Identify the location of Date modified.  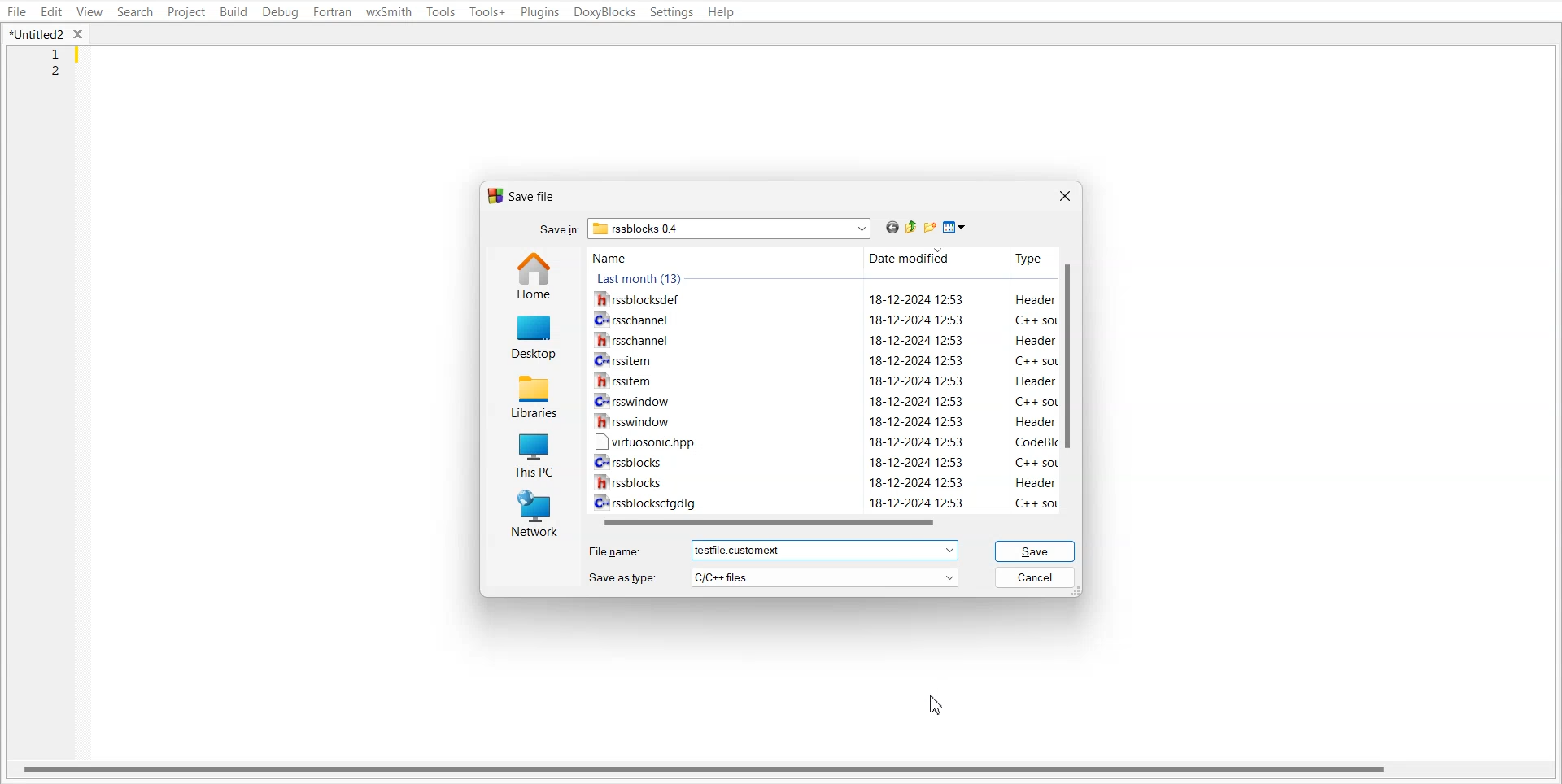
(923, 257).